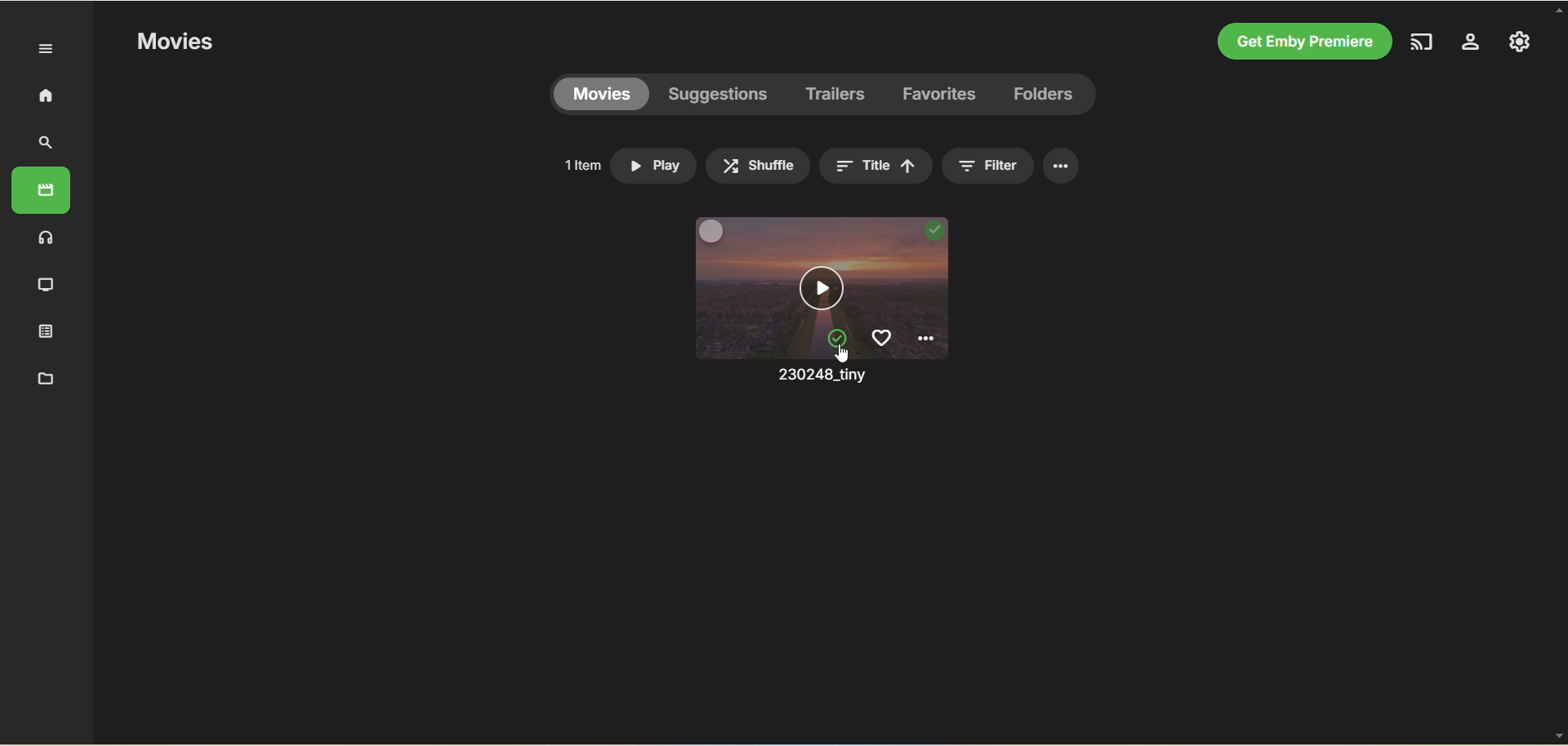 The height and width of the screenshot is (746, 1568). What do you see at coordinates (46, 238) in the screenshot?
I see `music` at bounding box center [46, 238].